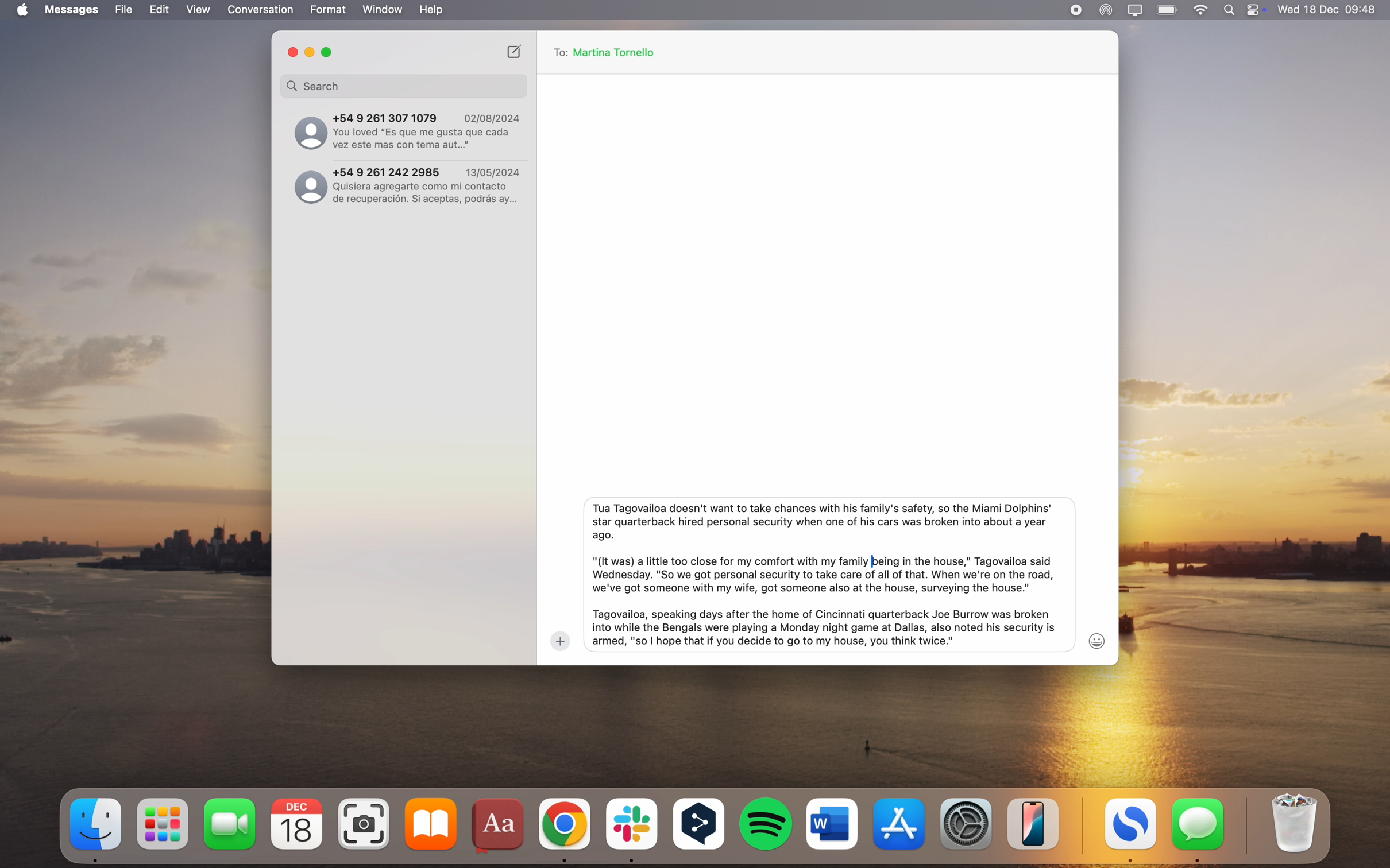 This screenshot has width=1390, height=868. Describe the element at coordinates (700, 826) in the screenshot. I see `deepl` at that location.